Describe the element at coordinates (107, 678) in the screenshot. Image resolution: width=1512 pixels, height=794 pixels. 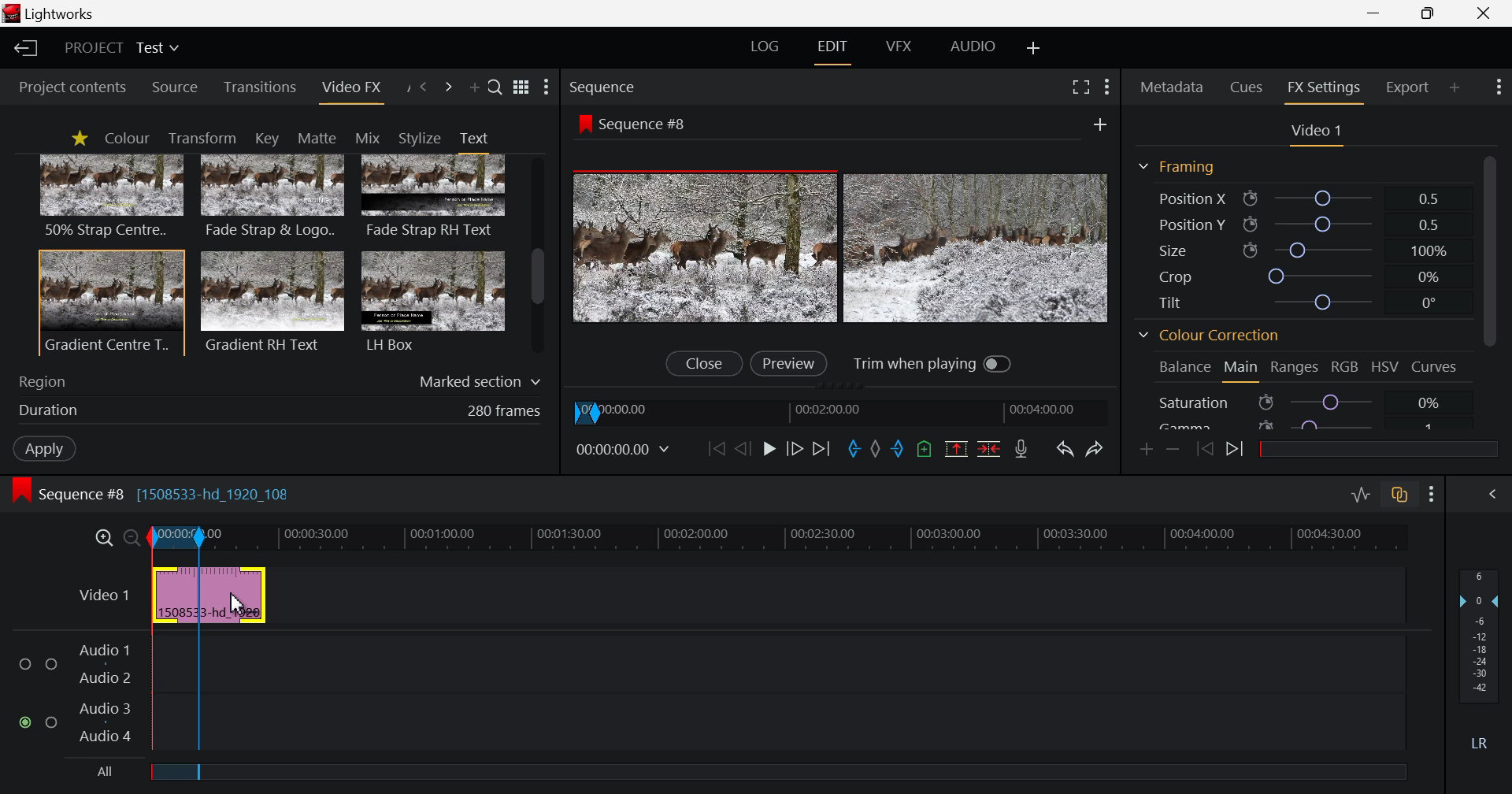
I see `audio 2` at that location.